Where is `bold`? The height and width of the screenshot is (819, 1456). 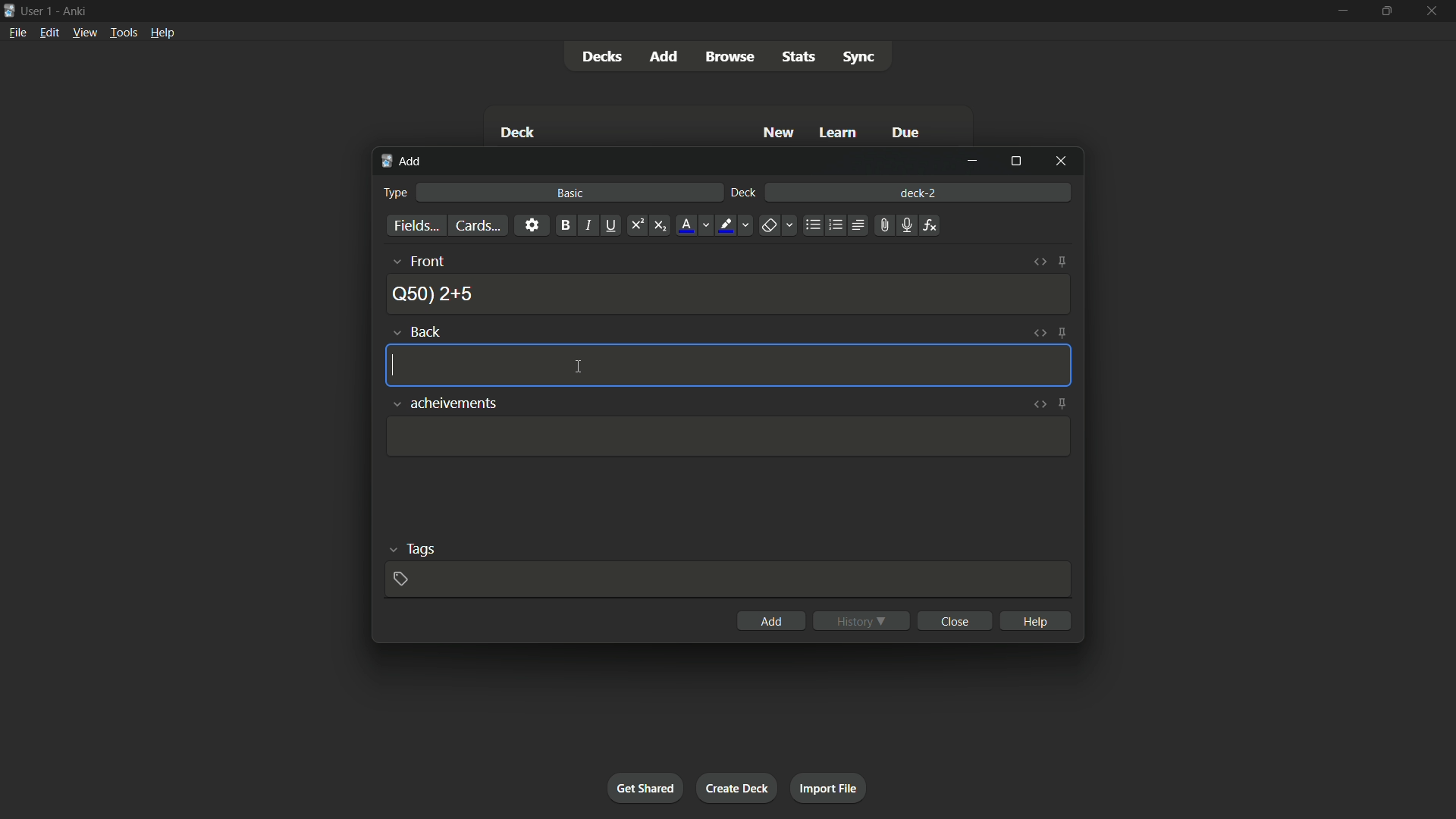 bold is located at coordinates (565, 226).